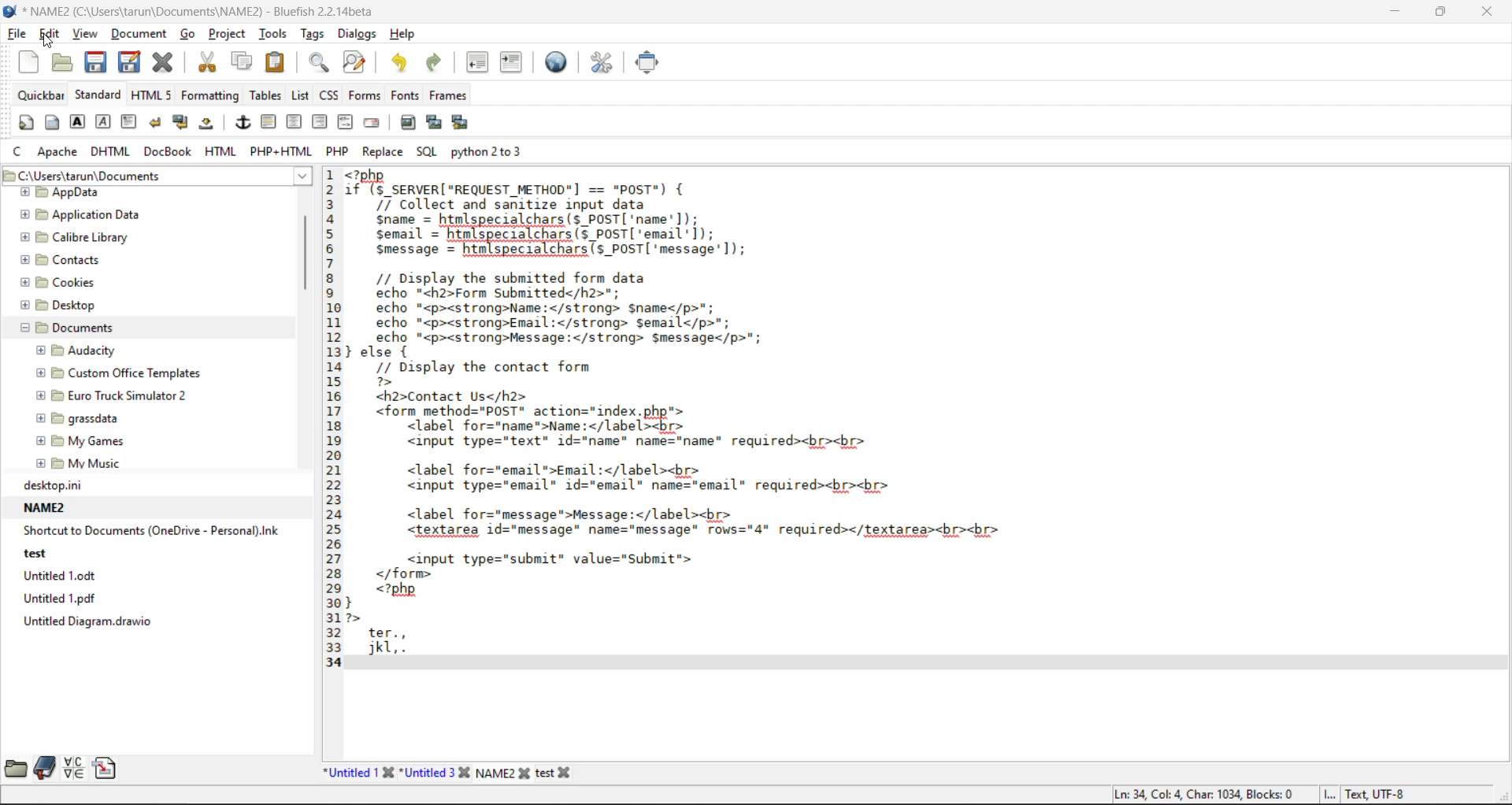 This screenshot has height=805, width=1512. I want to click on break, so click(156, 124).